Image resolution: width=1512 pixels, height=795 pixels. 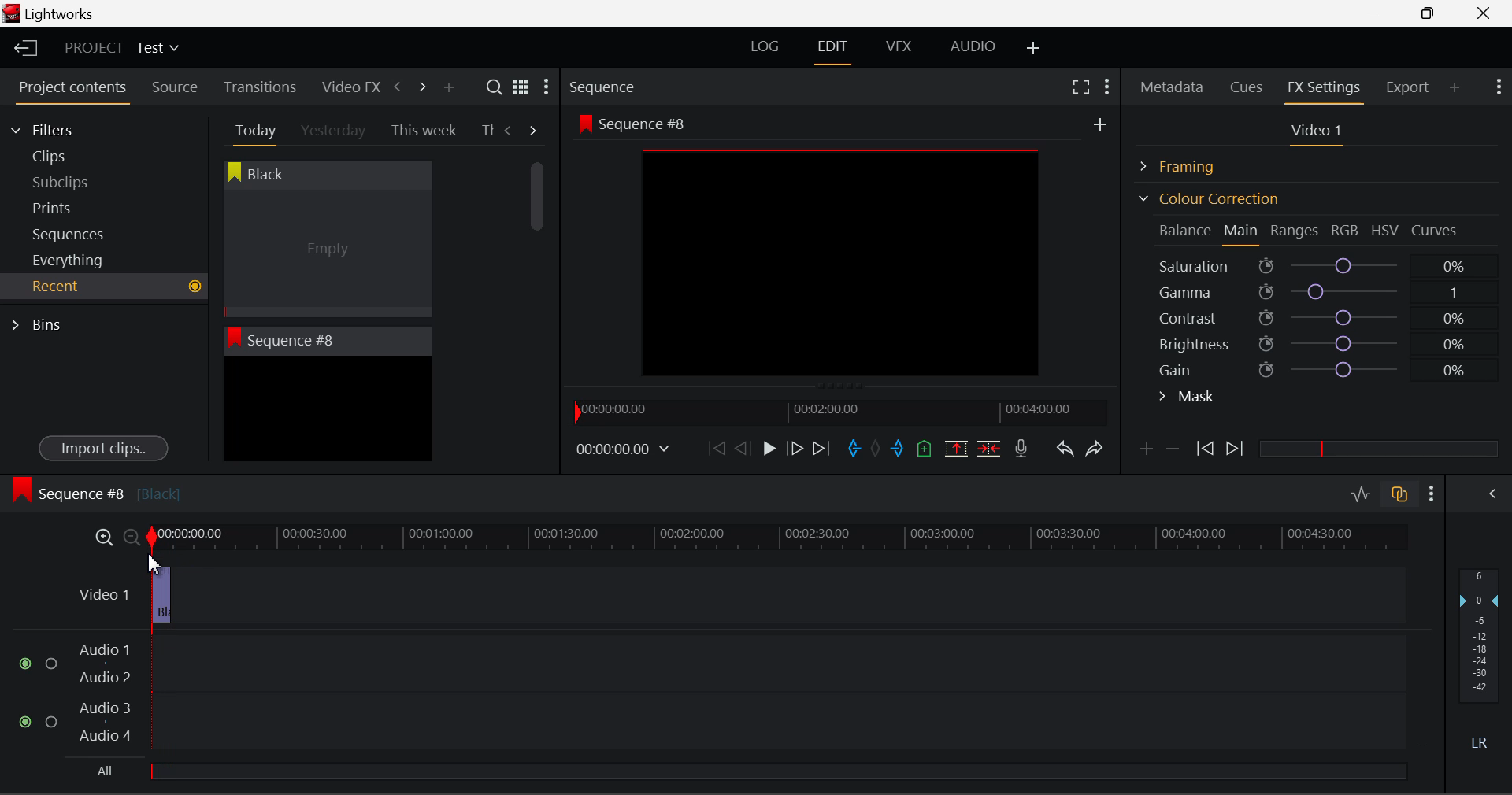 What do you see at coordinates (841, 250) in the screenshot?
I see `Sequence #8 Preview Screen` at bounding box center [841, 250].